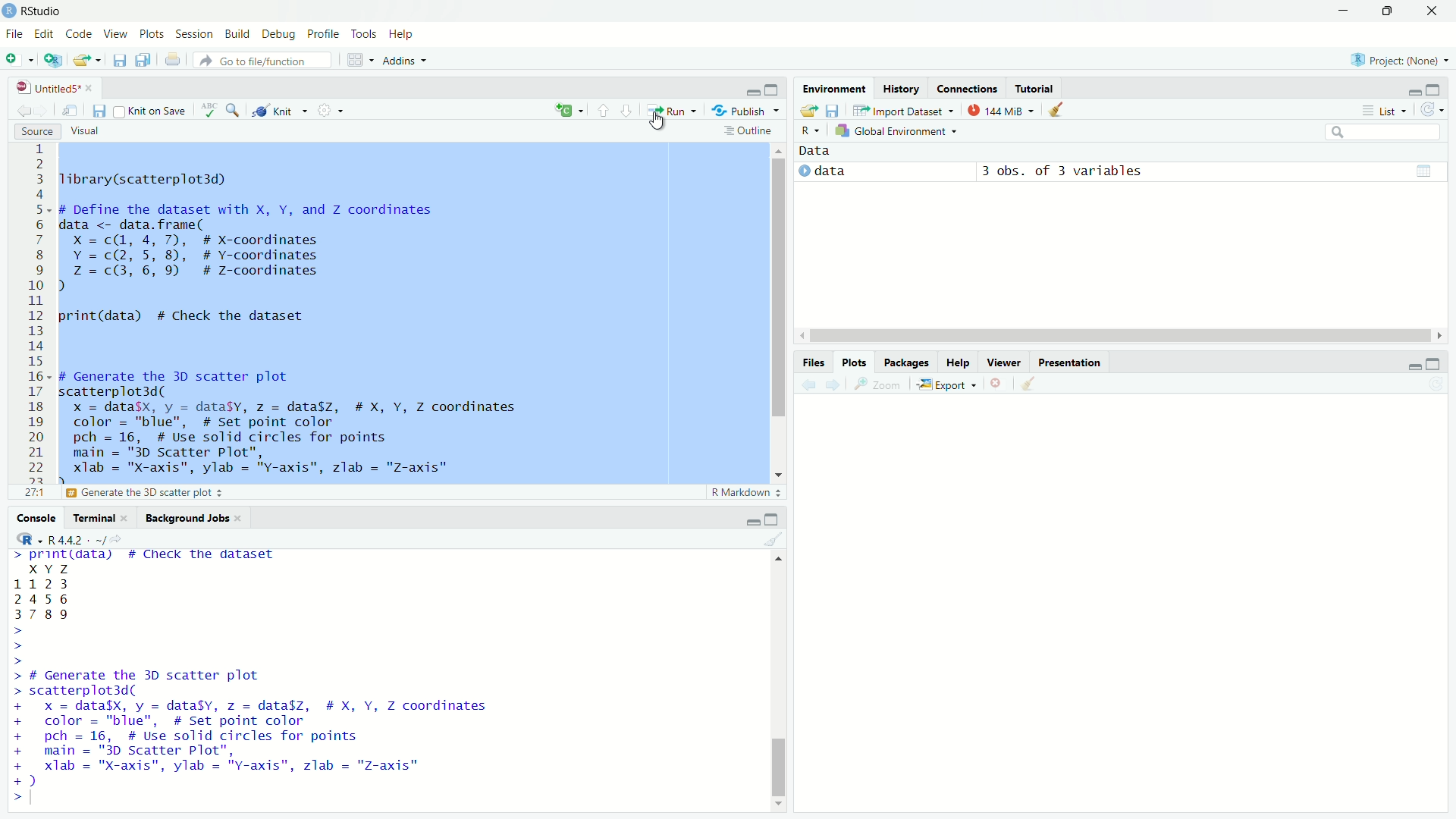  Describe the element at coordinates (9, 9) in the screenshot. I see `logo` at that location.